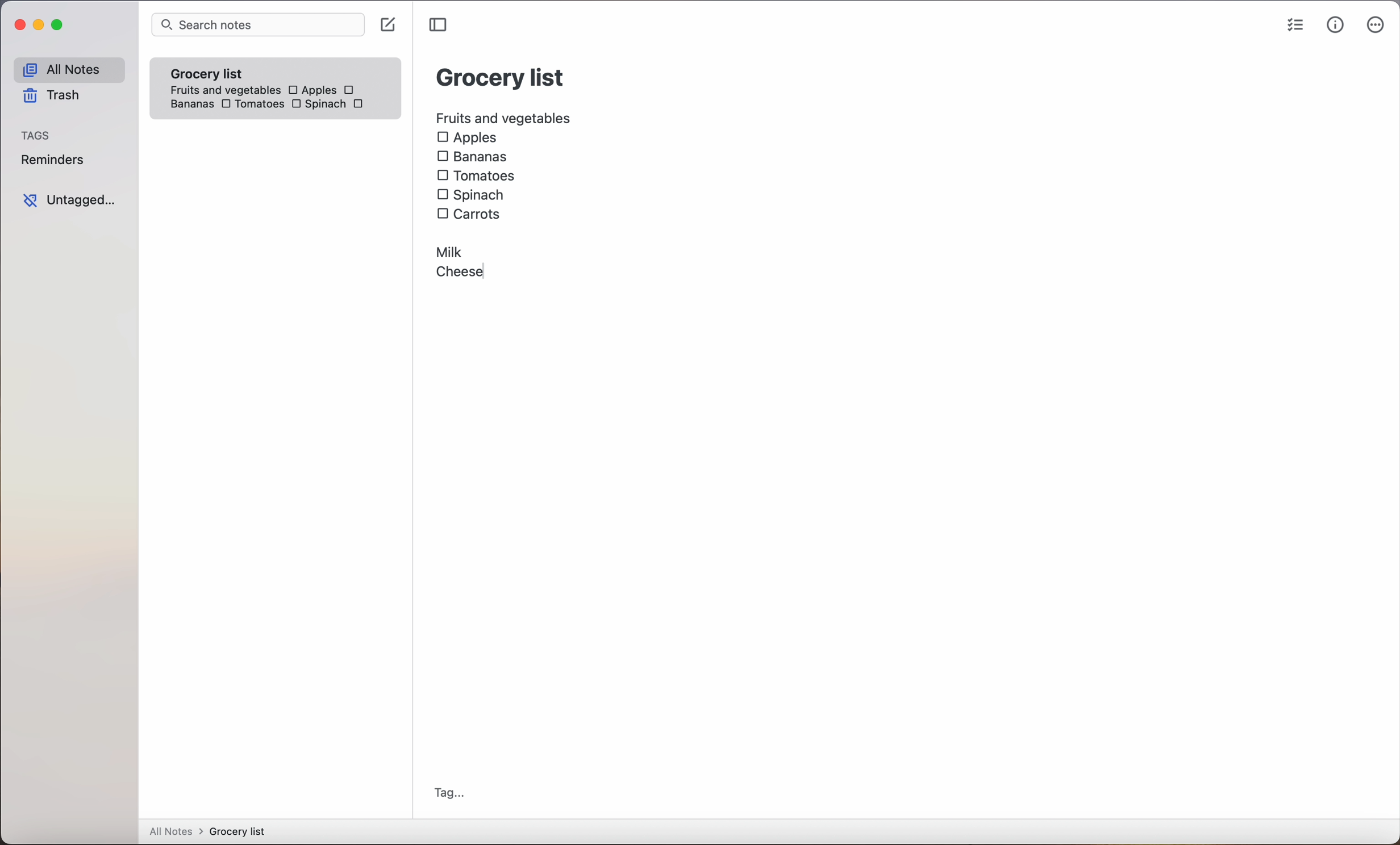  I want to click on minimize Simplenote, so click(41, 27).